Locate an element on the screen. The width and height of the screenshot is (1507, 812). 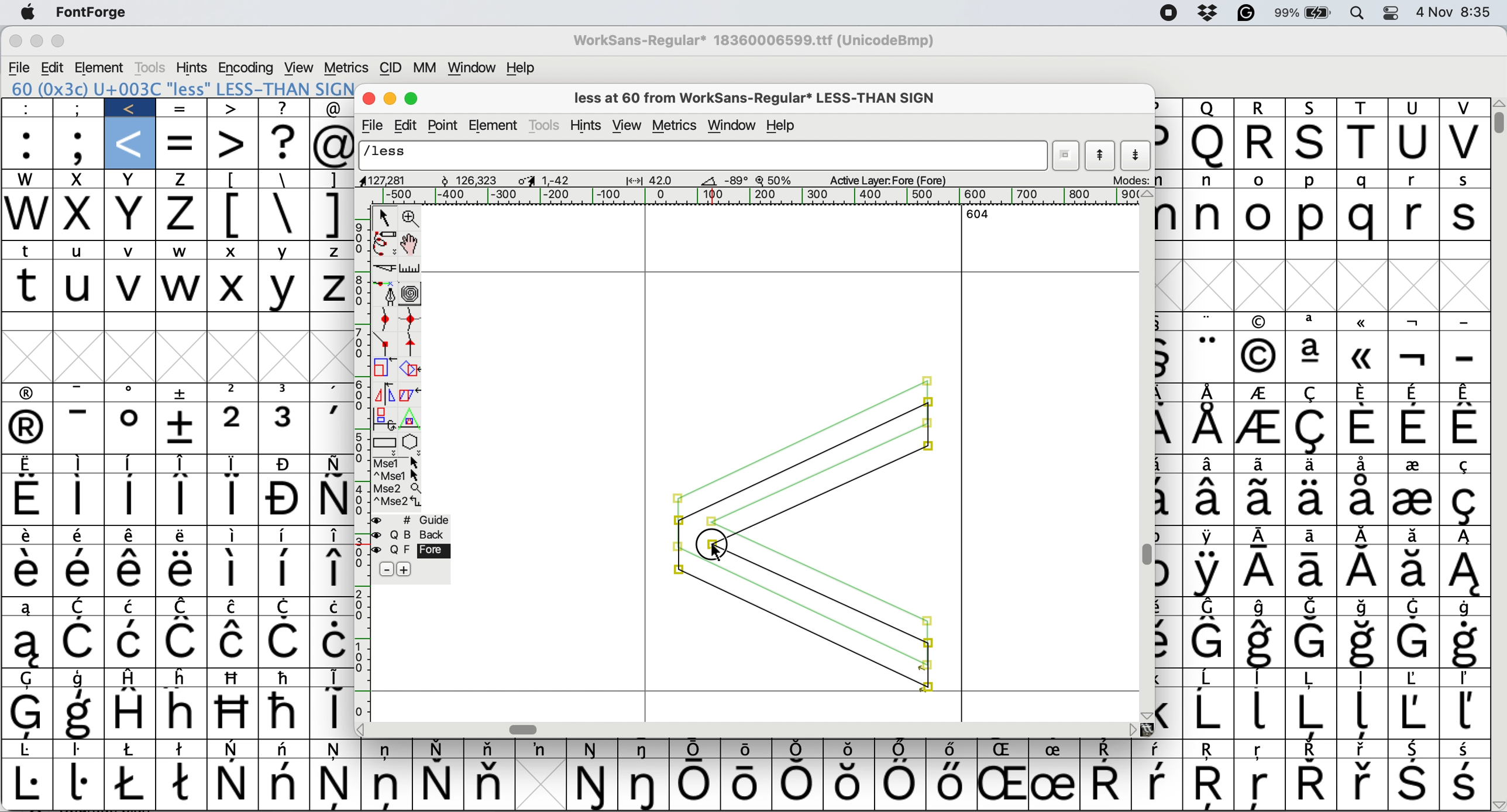
v is located at coordinates (1462, 108).